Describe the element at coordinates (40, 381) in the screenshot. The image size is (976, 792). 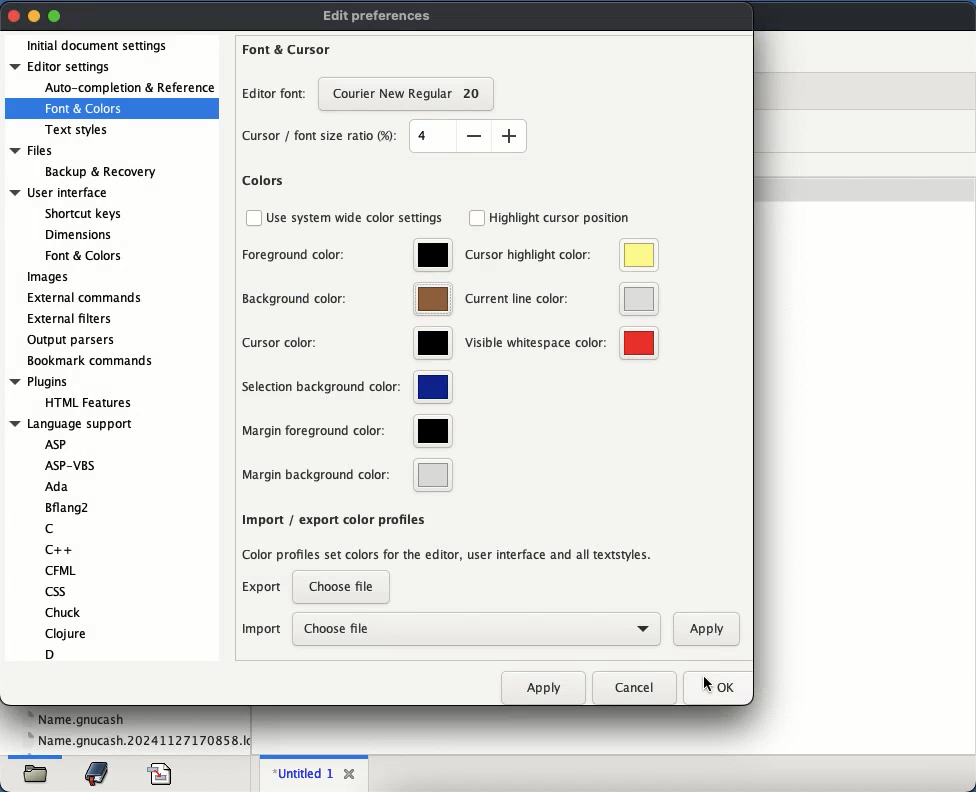
I see `Plugins` at that location.